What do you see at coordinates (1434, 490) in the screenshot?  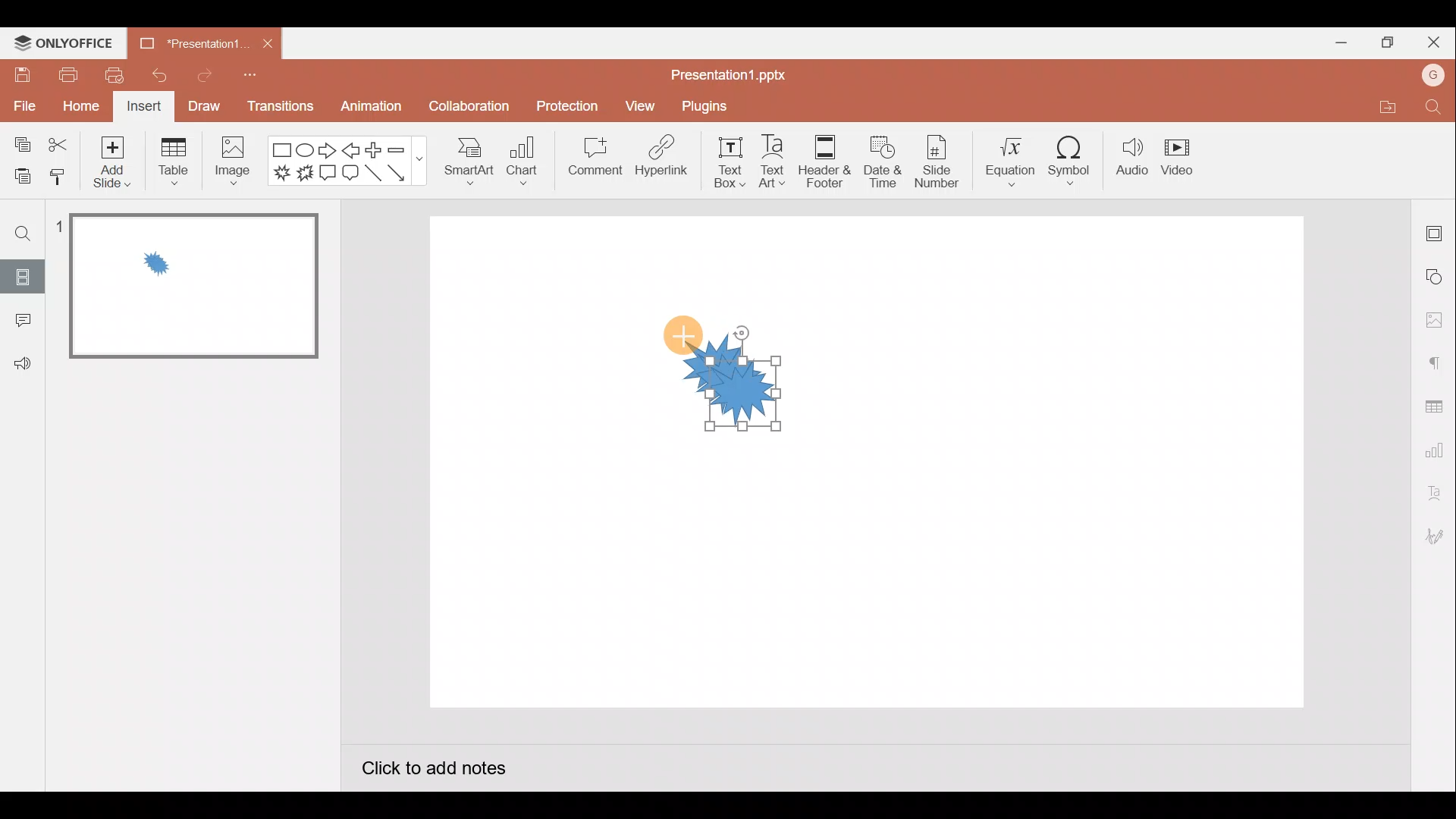 I see `Text Art settings` at bounding box center [1434, 490].